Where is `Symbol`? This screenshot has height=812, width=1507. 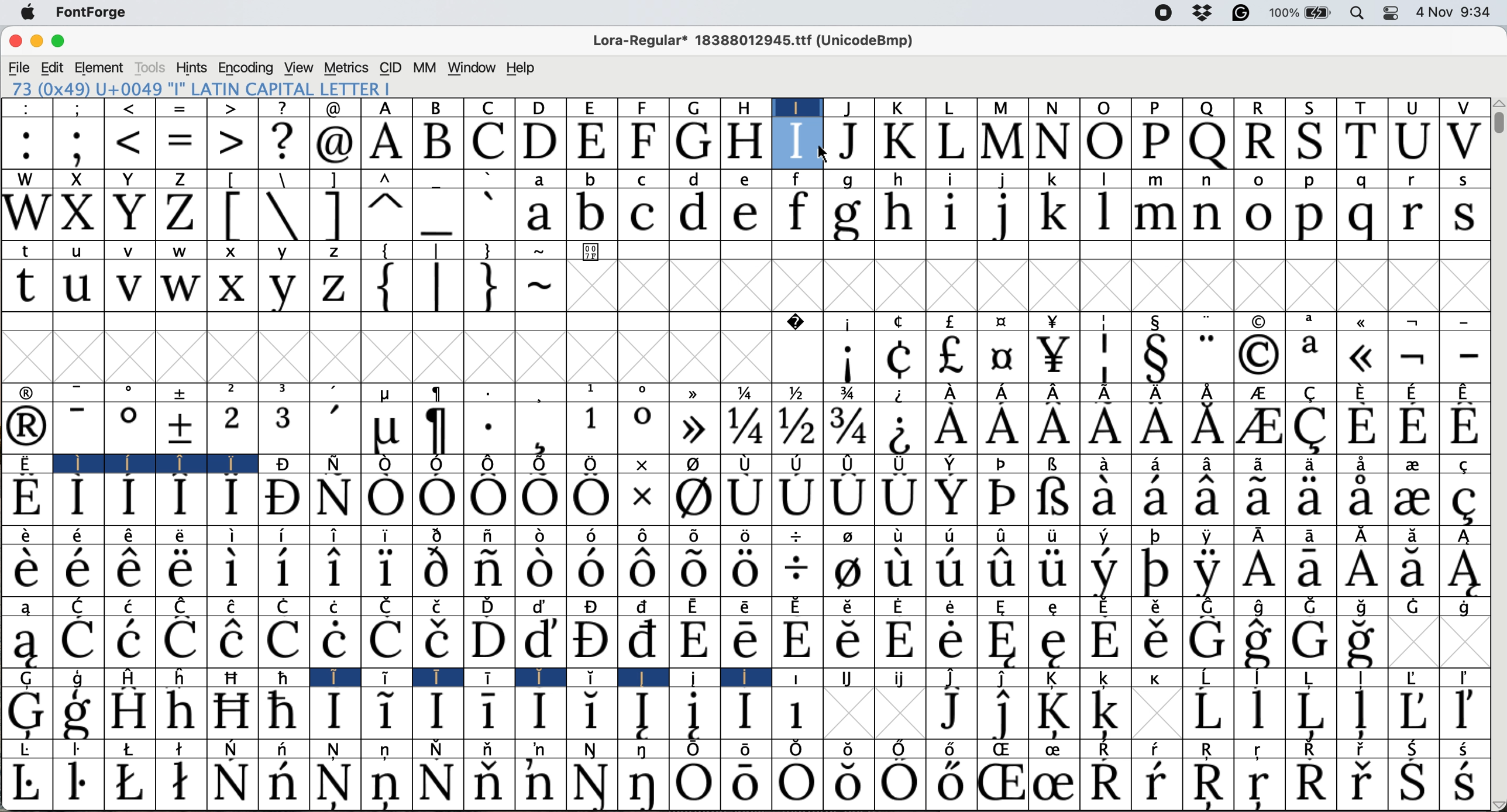 Symbol is located at coordinates (645, 785).